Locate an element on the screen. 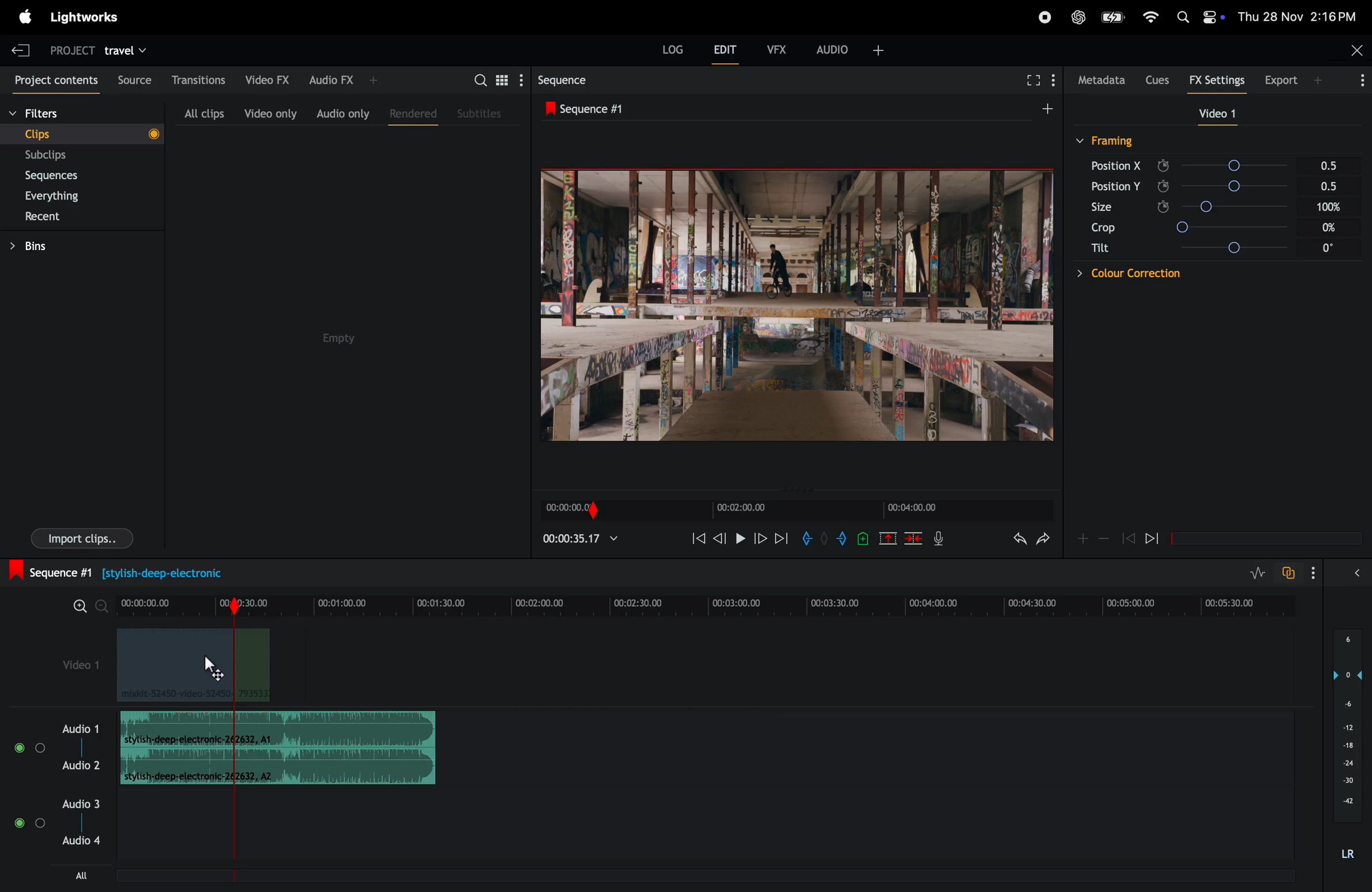 The image size is (1372, 892). sequences is located at coordinates (61, 176).